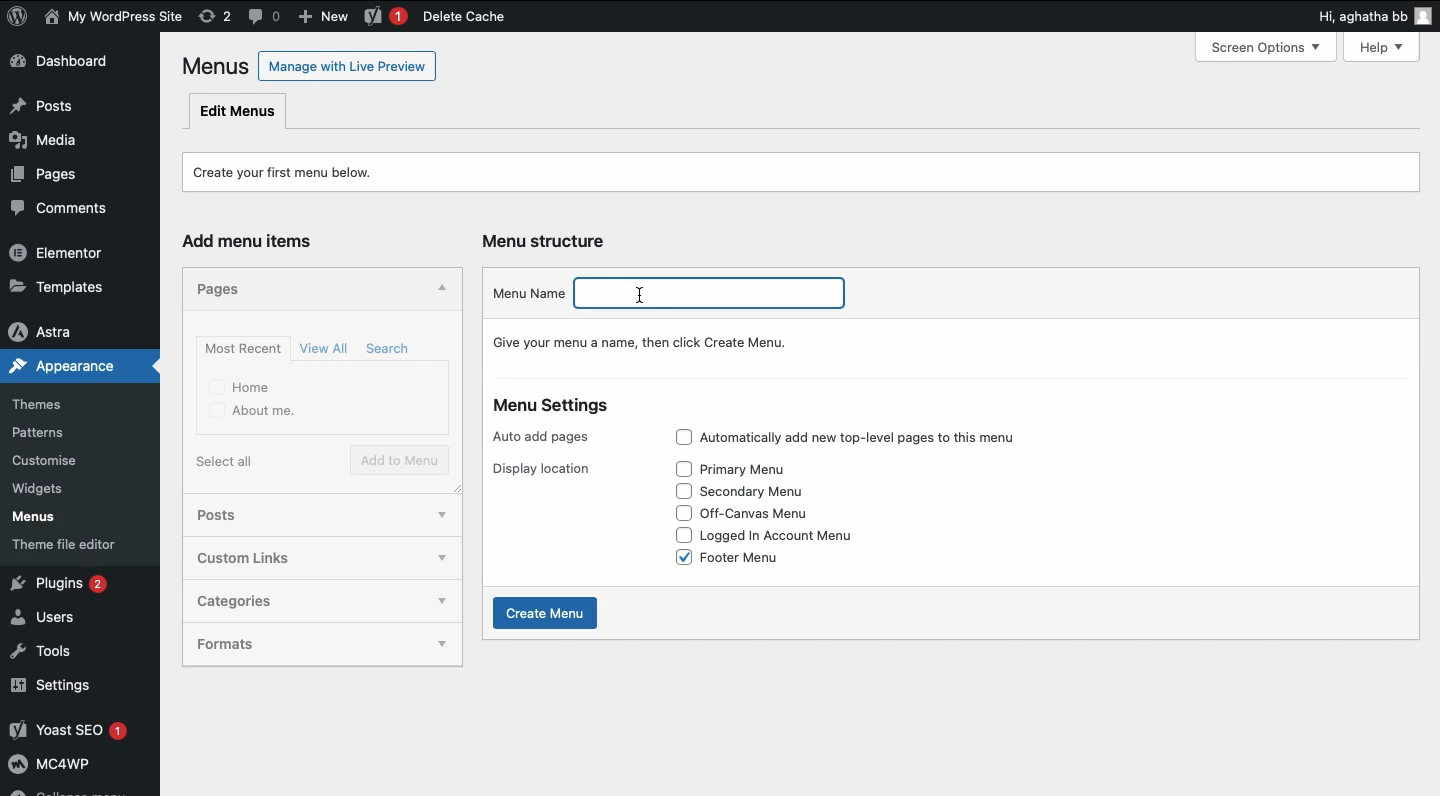 This screenshot has width=1440, height=796. Describe the element at coordinates (70, 284) in the screenshot. I see `Templates` at that location.